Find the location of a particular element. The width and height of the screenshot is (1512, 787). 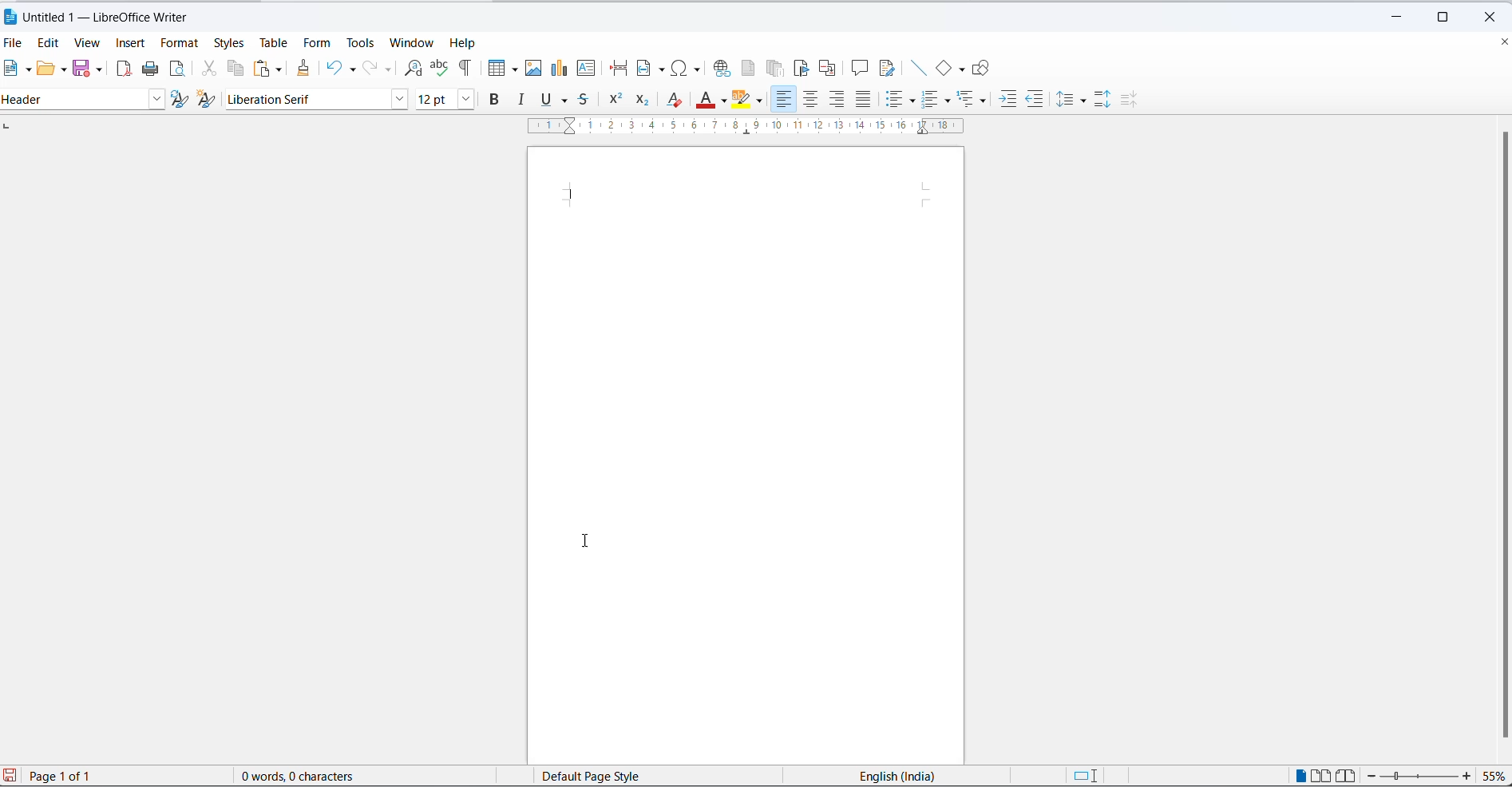

line spacing is located at coordinates (1068, 101).